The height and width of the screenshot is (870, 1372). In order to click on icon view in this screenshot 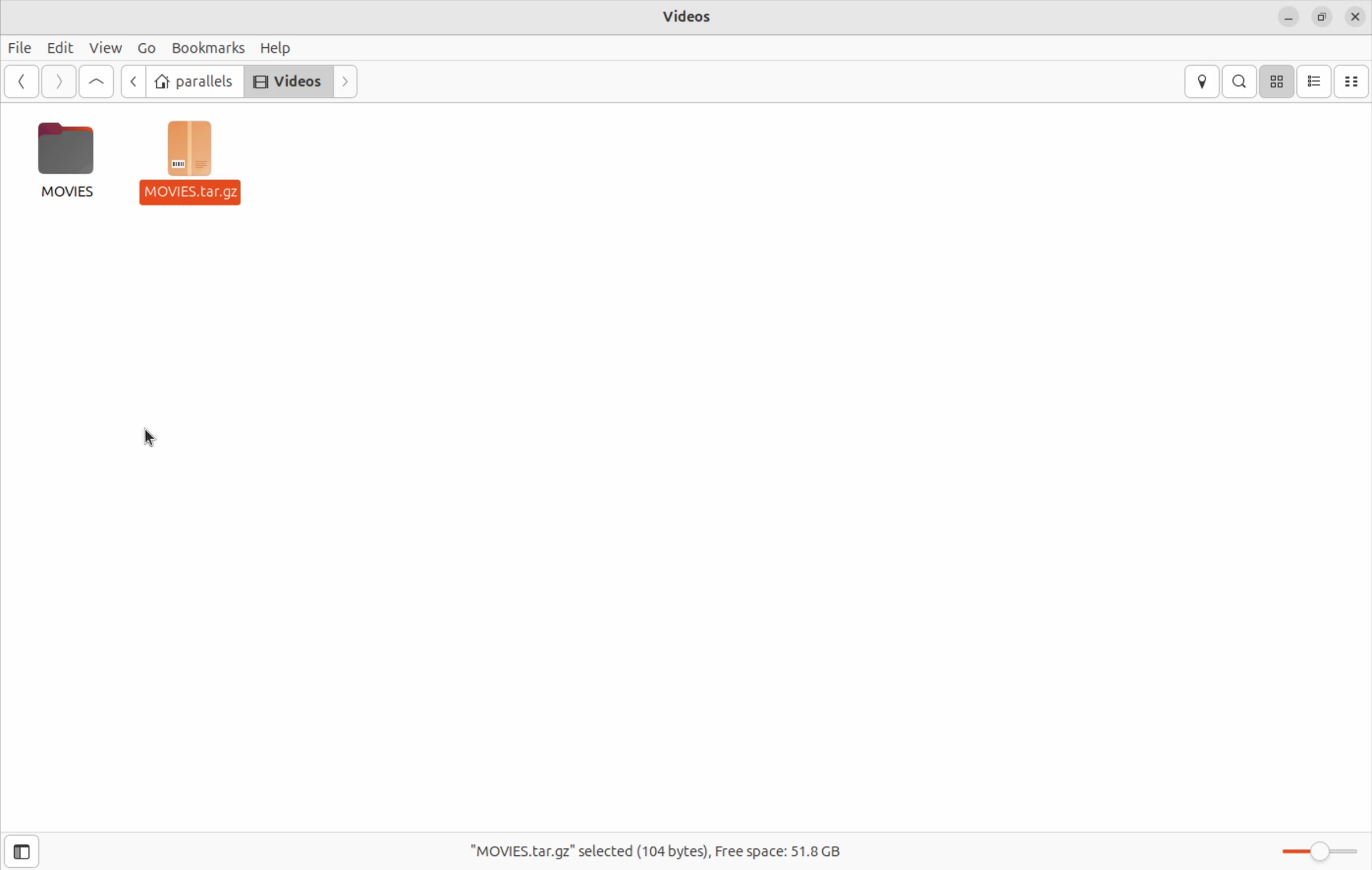, I will do `click(1278, 81)`.